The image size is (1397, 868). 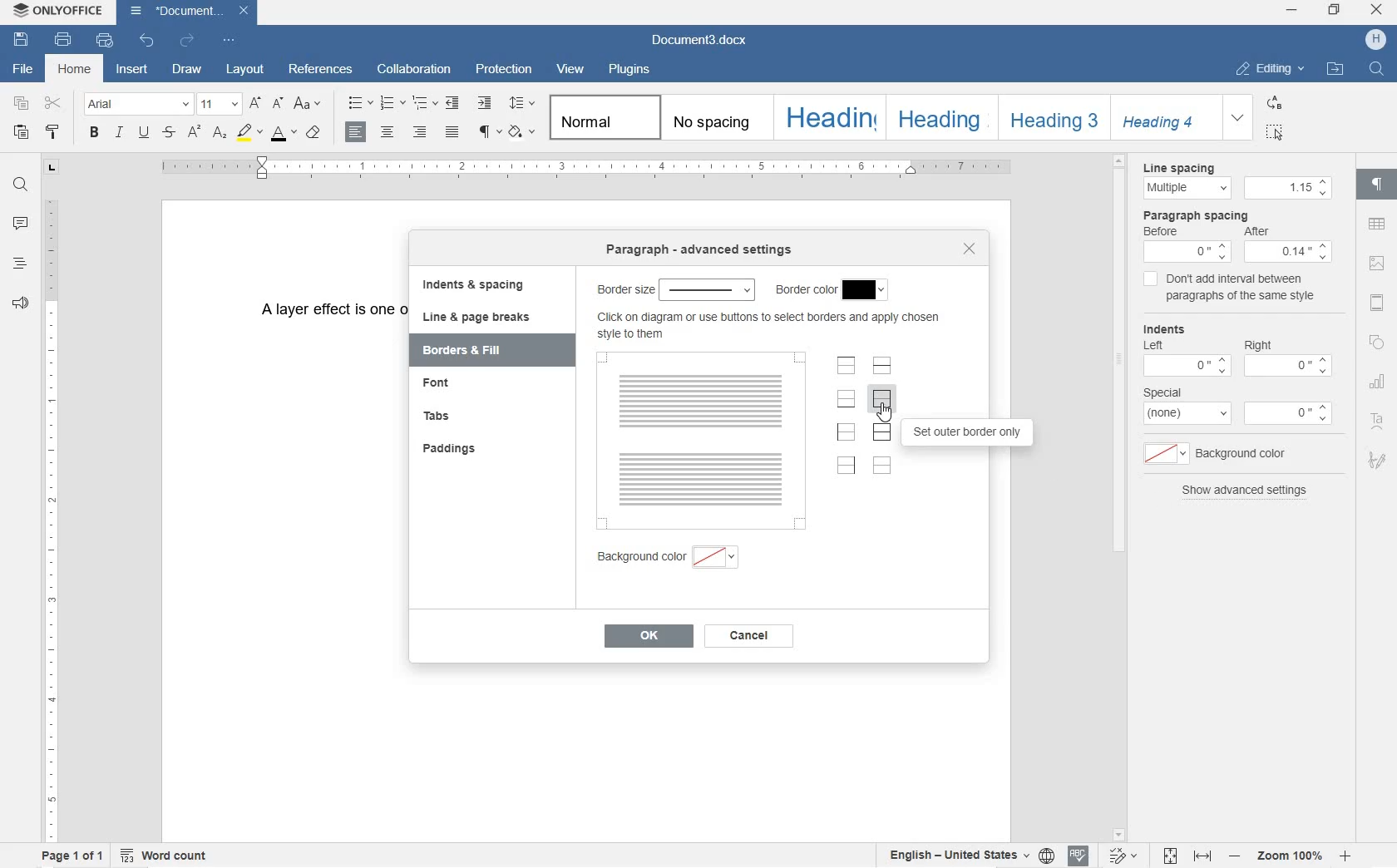 I want to click on select borders and apply chosen style, so click(x=772, y=323).